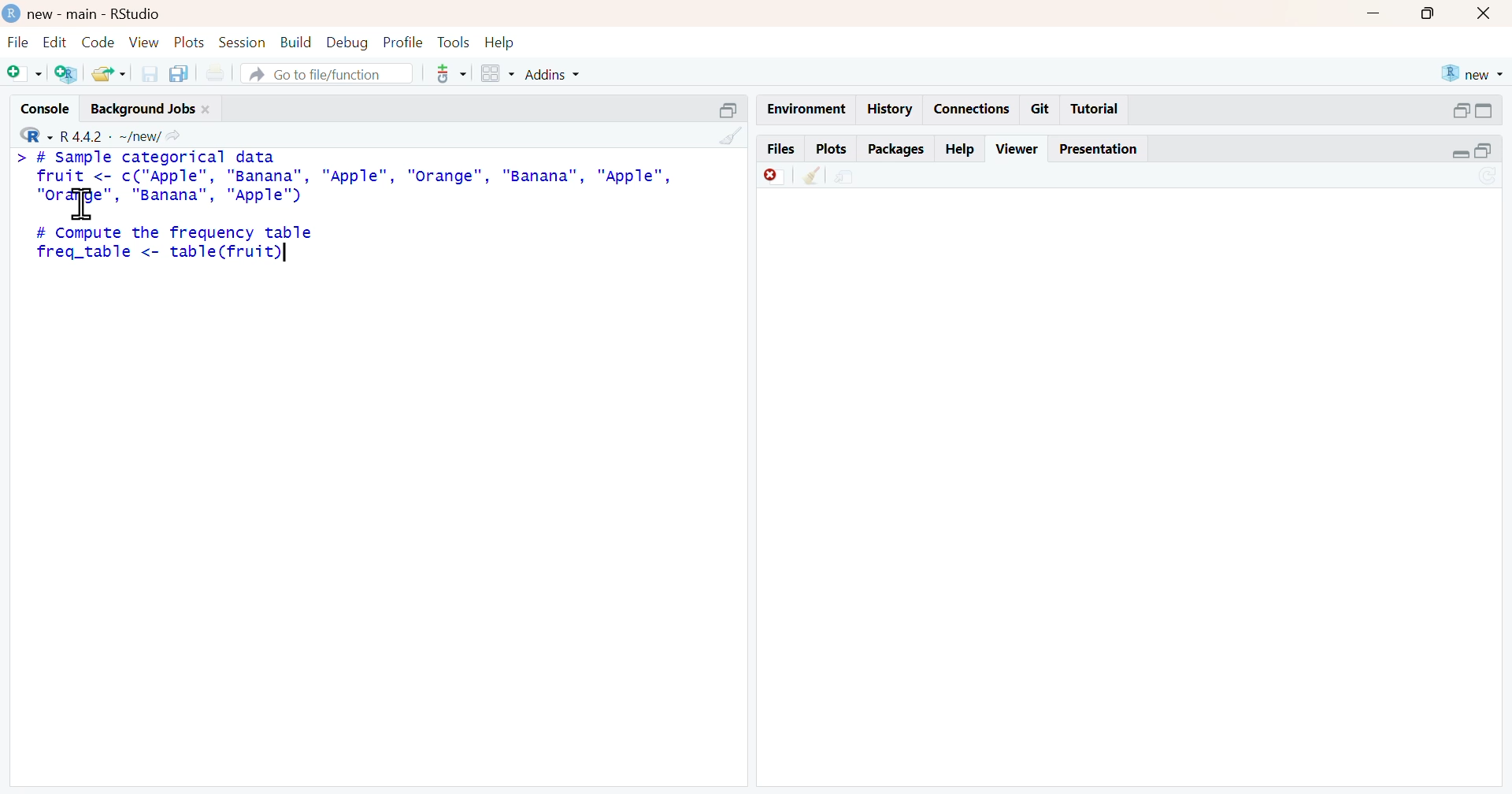 The width and height of the screenshot is (1512, 794). What do you see at coordinates (1018, 150) in the screenshot?
I see `viewer` at bounding box center [1018, 150].